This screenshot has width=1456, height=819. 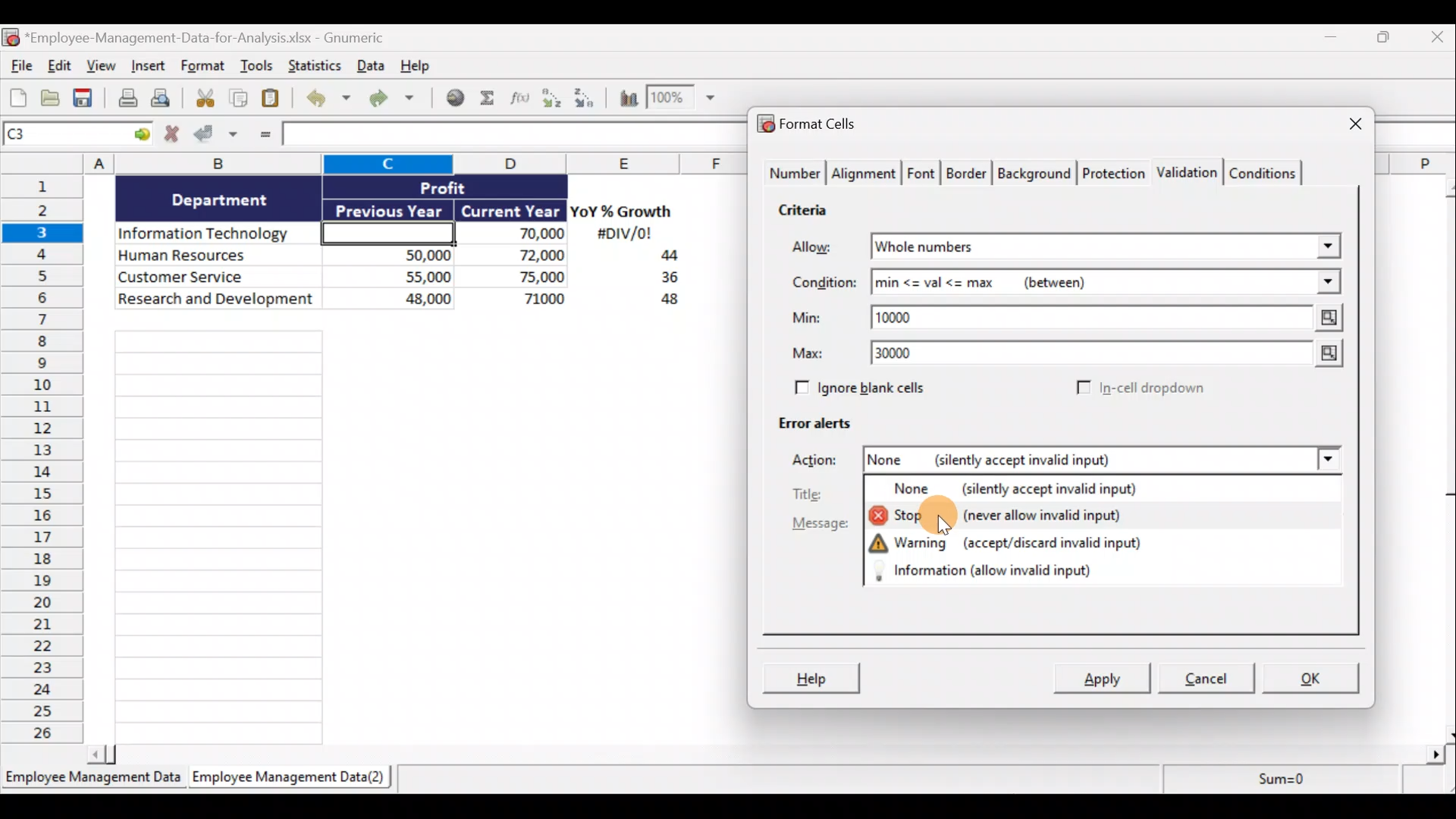 I want to click on Employee Management Data(2), so click(x=286, y=780).